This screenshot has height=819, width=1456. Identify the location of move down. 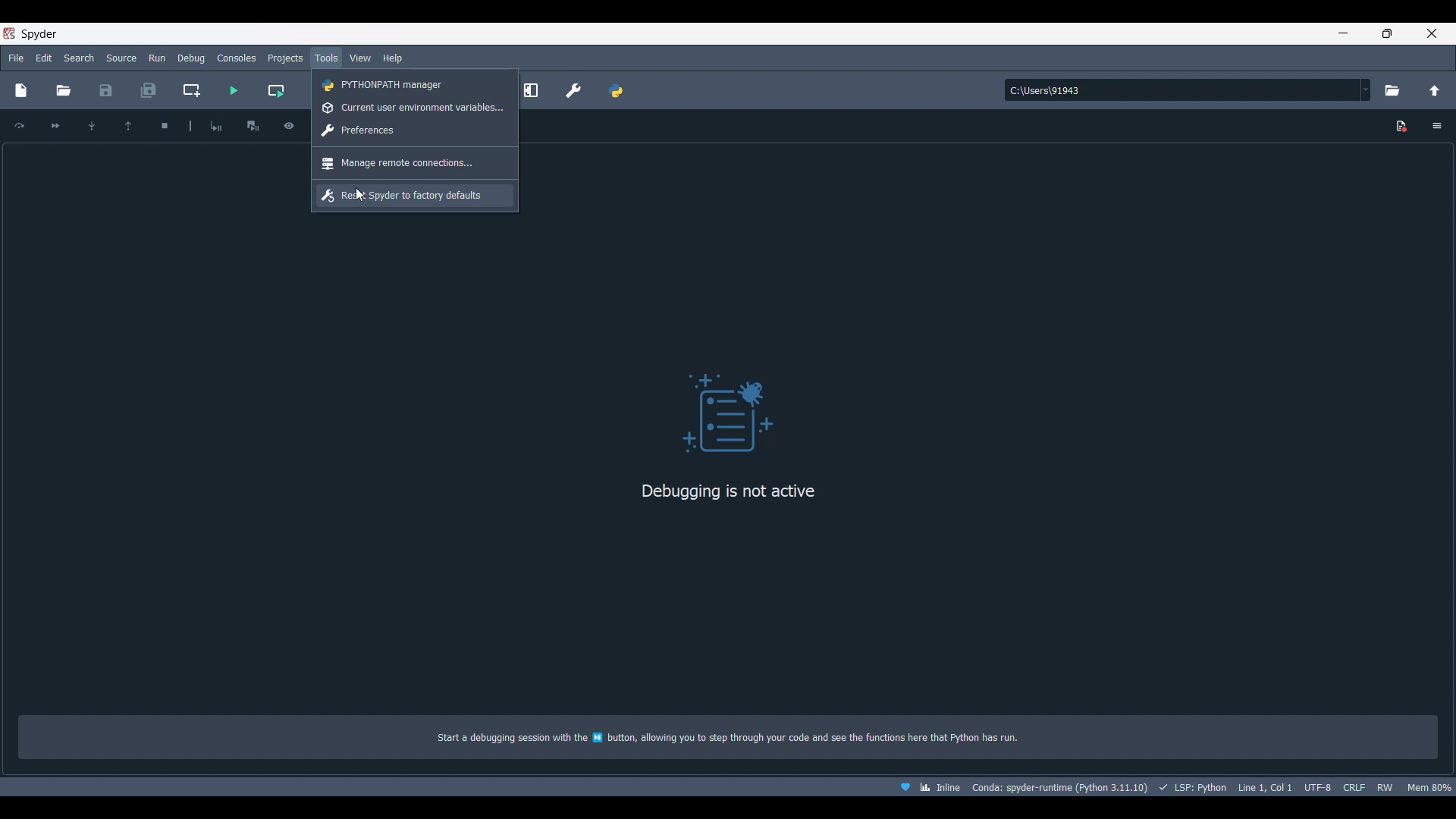
(90, 125).